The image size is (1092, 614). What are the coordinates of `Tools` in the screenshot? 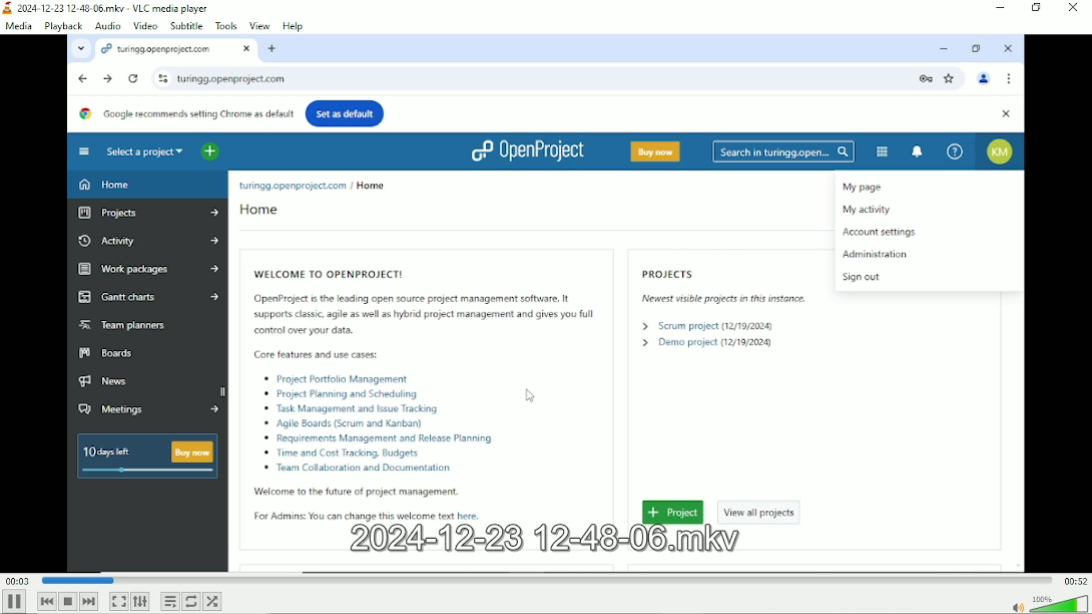 It's located at (227, 25).